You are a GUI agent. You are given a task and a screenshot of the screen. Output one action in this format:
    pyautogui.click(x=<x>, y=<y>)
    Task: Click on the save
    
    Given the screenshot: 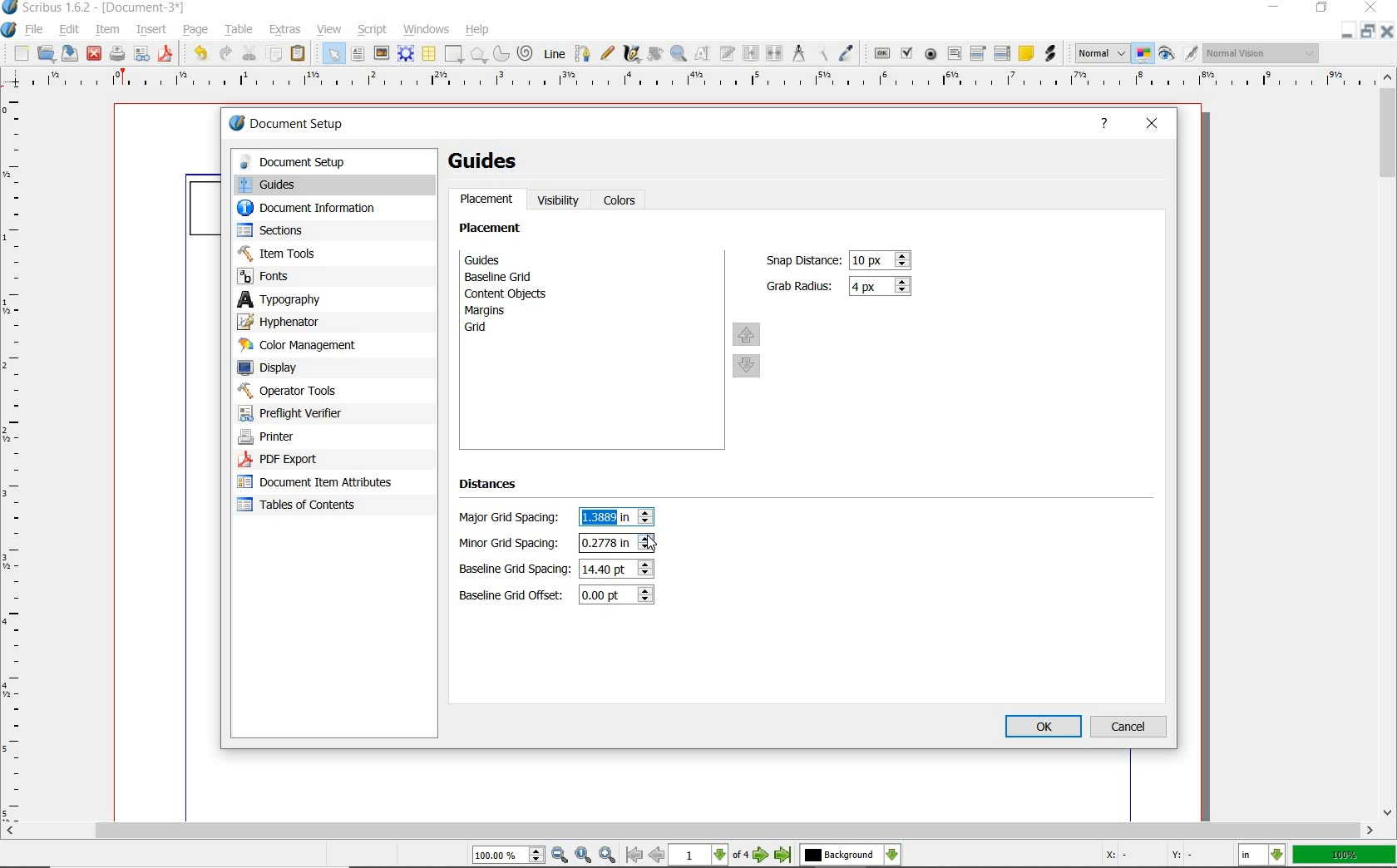 What is the action you would take?
    pyautogui.click(x=68, y=52)
    